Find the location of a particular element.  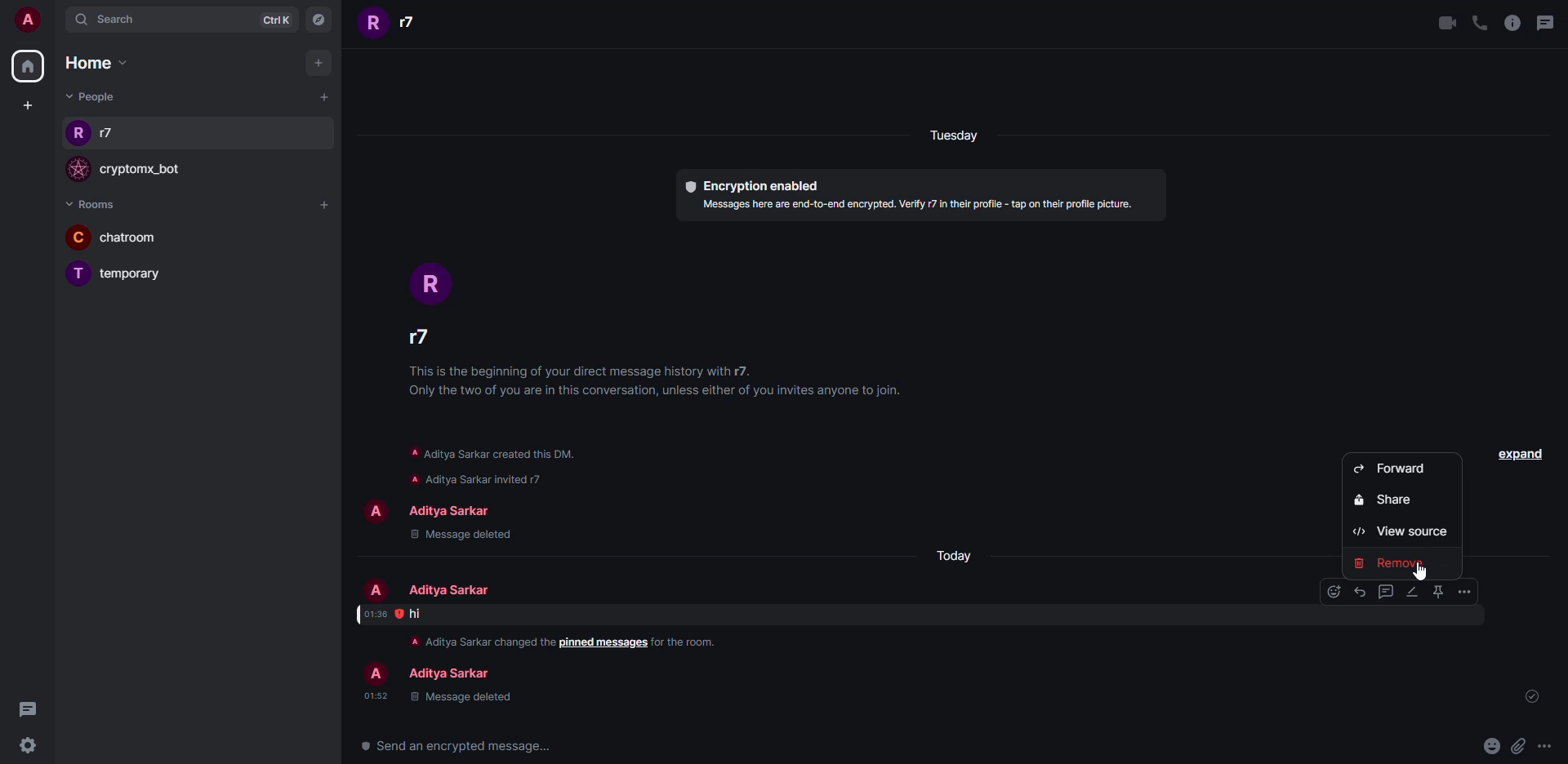

message deleted is located at coordinates (462, 534).